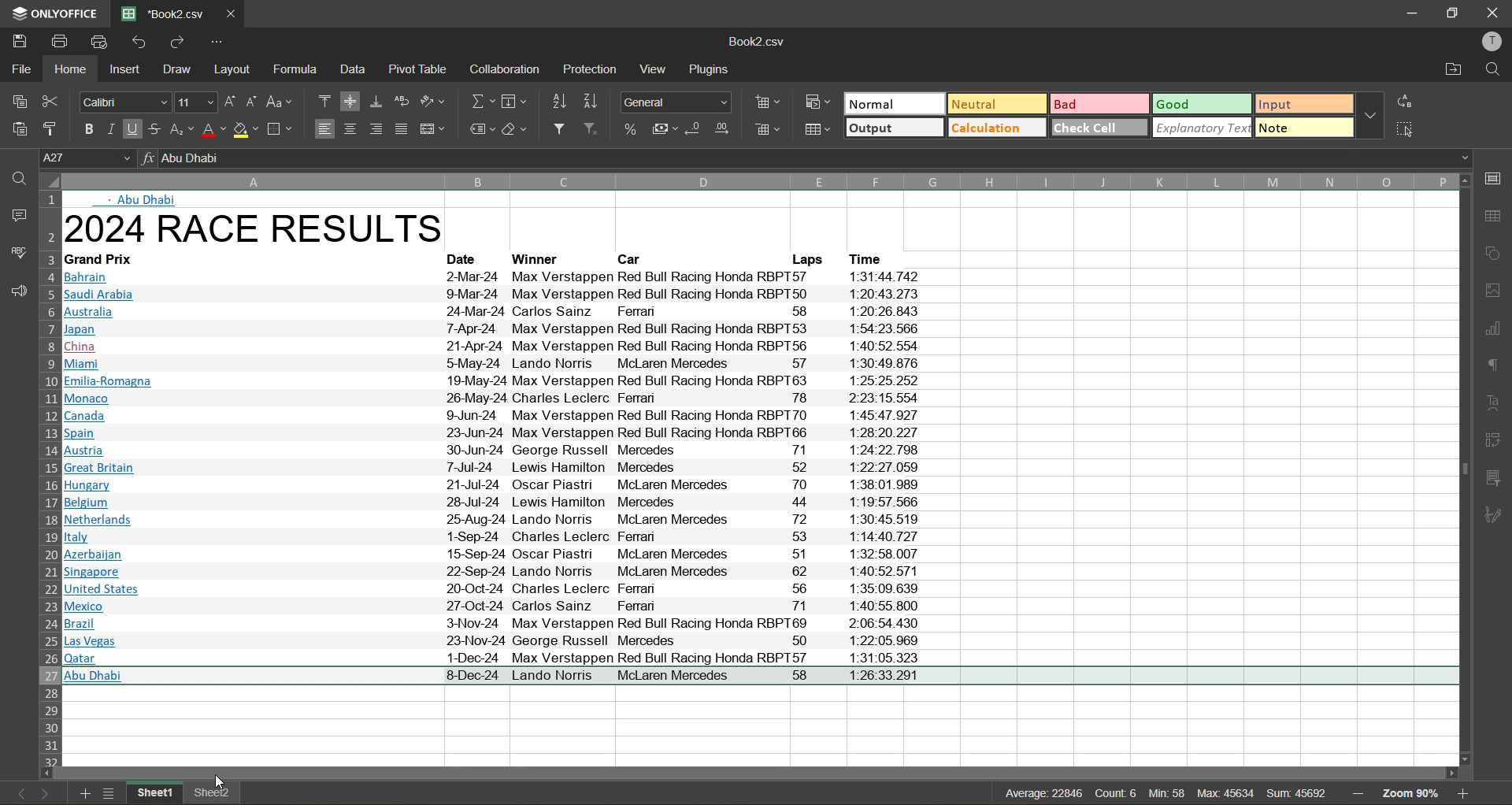 The height and width of the screenshot is (805, 1512). I want to click on note, so click(1304, 128).